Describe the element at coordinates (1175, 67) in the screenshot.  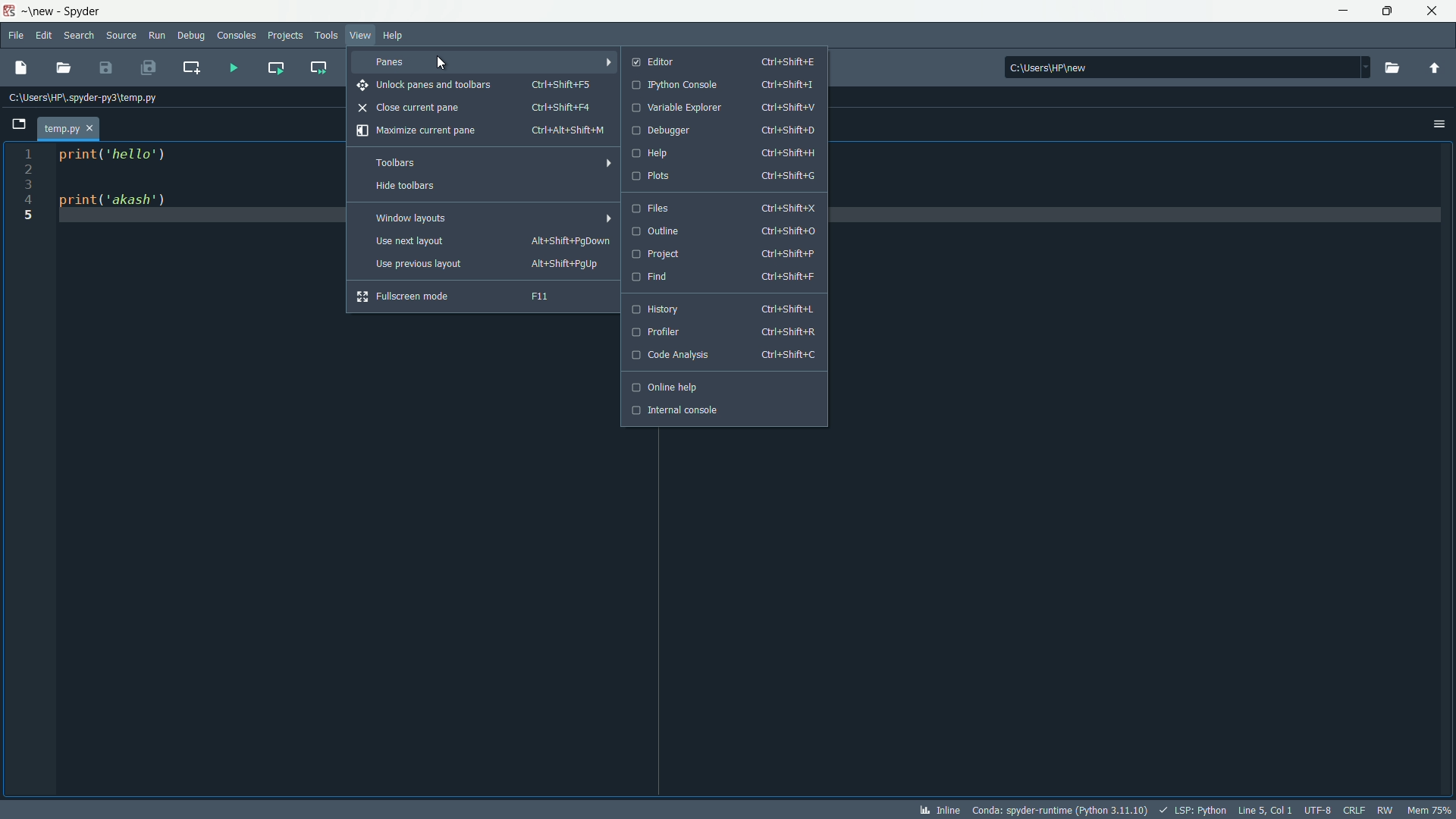
I see `| C:\Users\HP\new` at that location.